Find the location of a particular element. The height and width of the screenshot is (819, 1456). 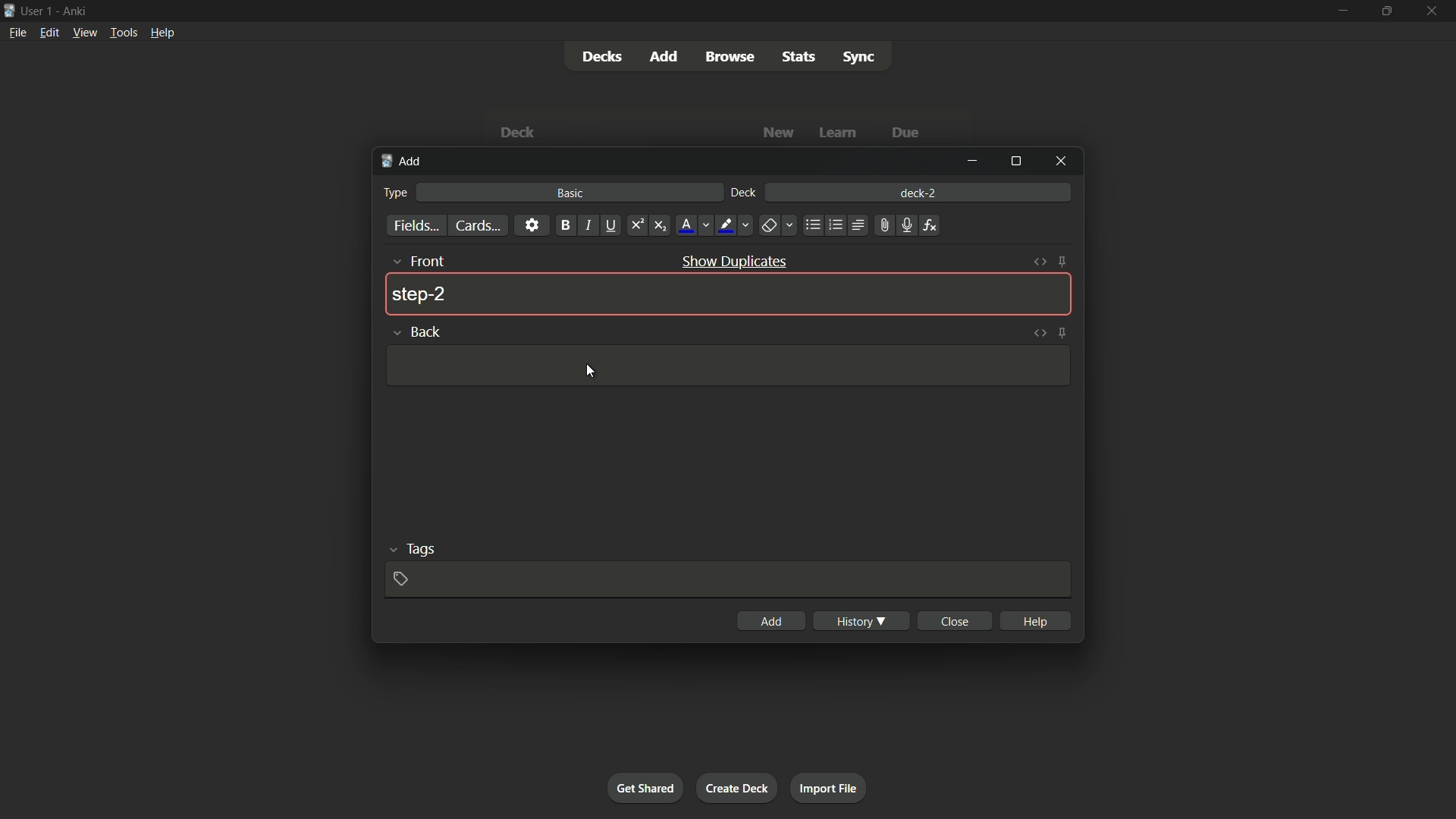

toggle html editor is located at coordinates (1043, 260).